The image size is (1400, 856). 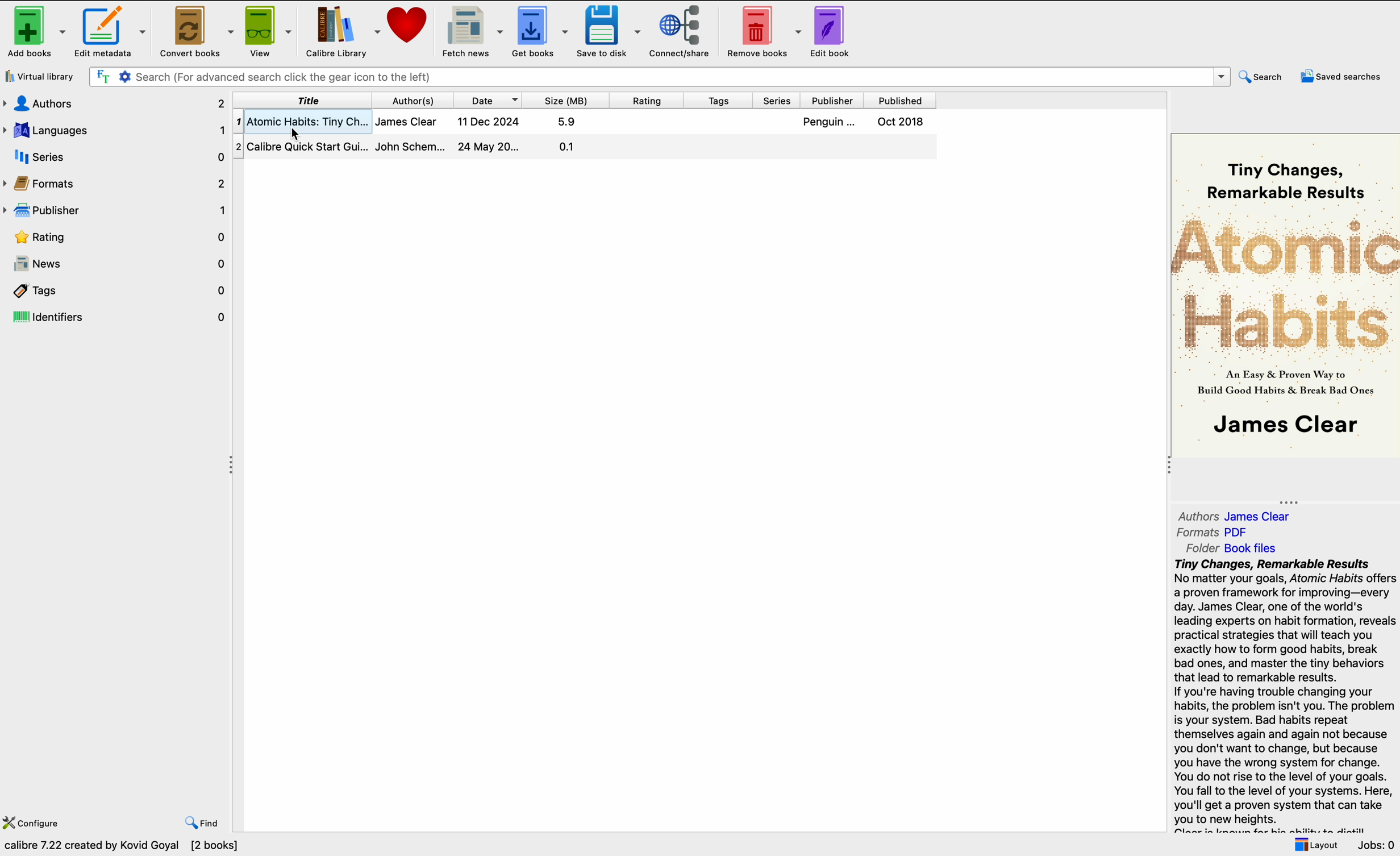 I want to click on publisher, so click(x=835, y=101).